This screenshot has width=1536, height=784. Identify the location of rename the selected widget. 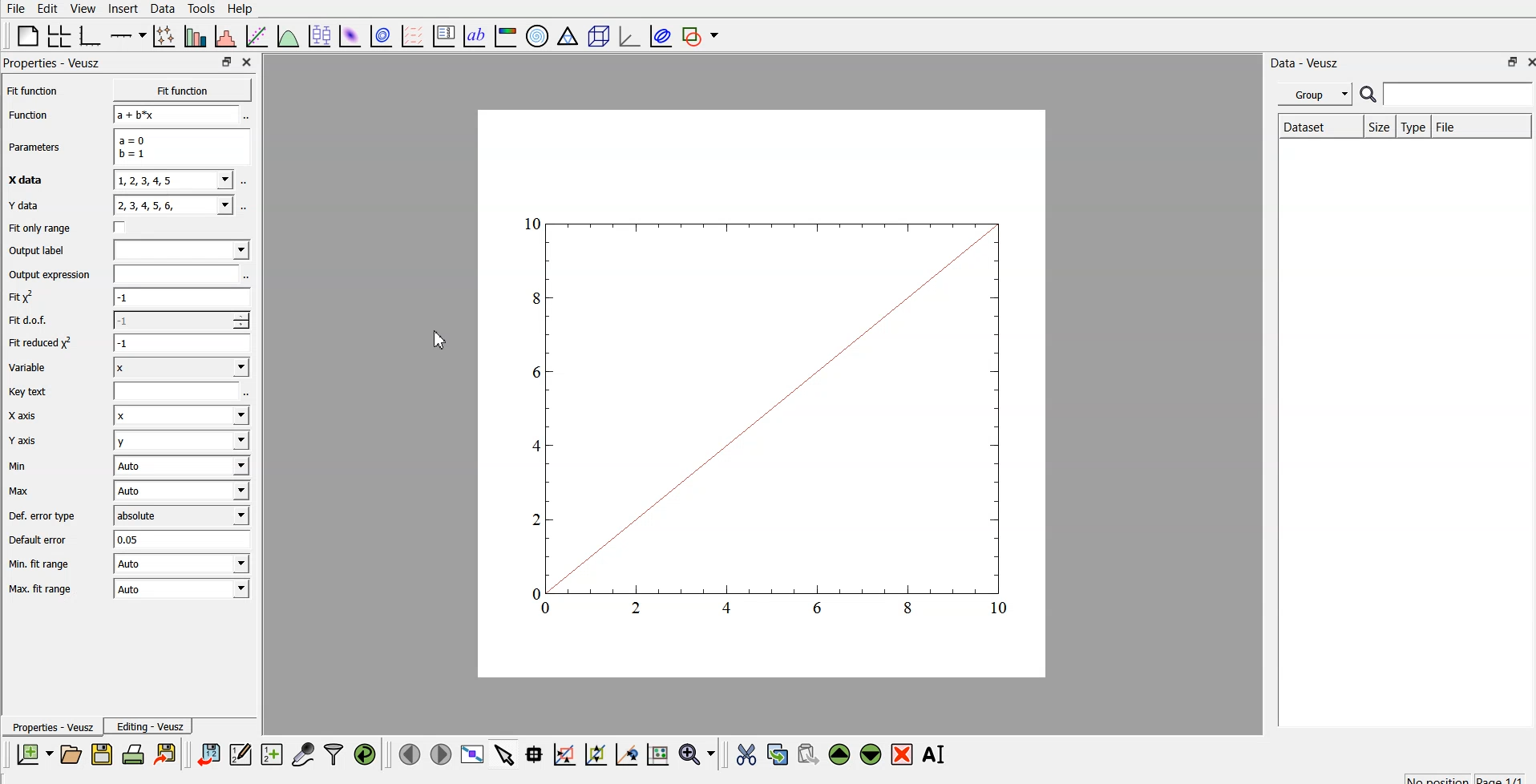
(938, 754).